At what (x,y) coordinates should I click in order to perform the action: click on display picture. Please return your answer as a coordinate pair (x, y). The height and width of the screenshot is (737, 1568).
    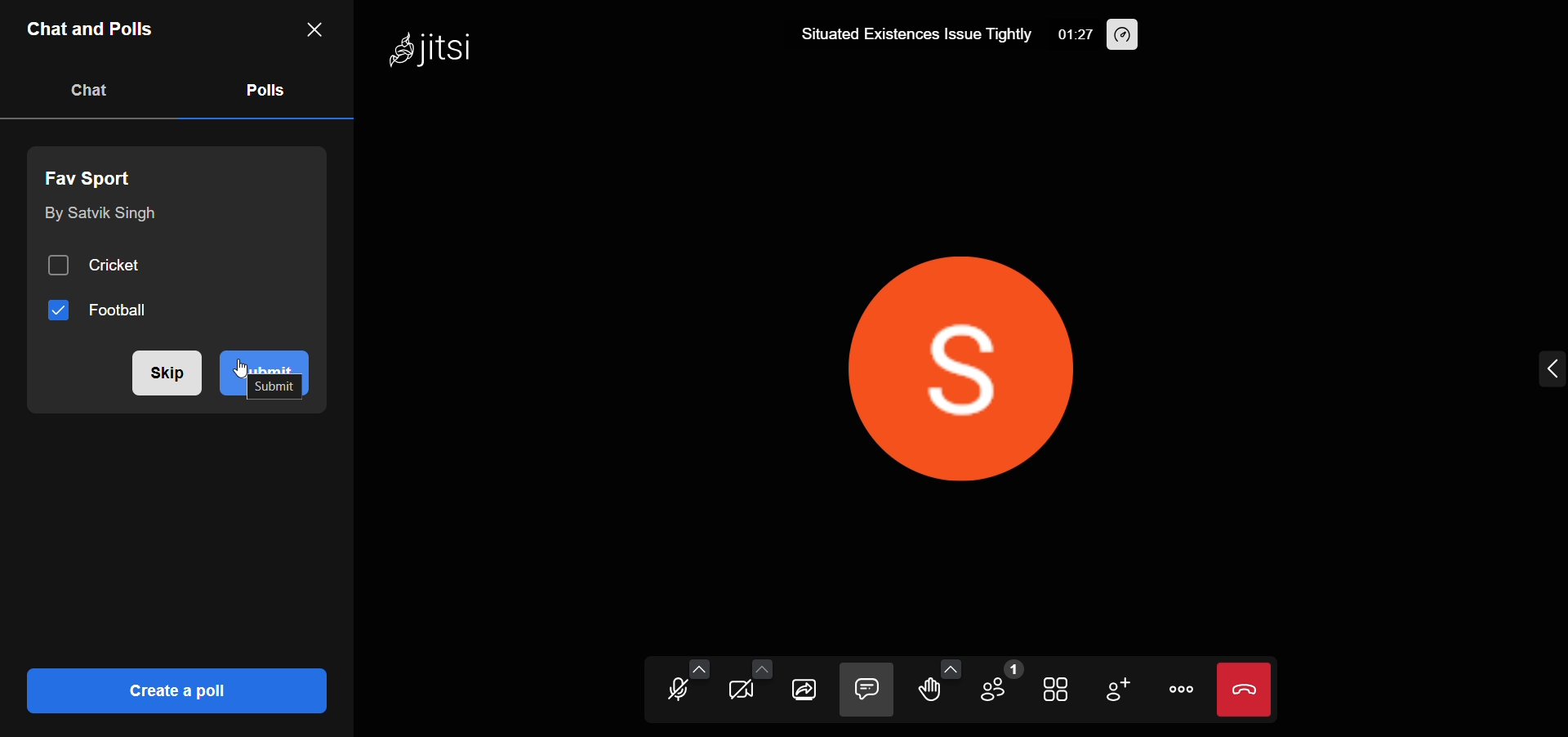
    Looking at the image, I should click on (1016, 361).